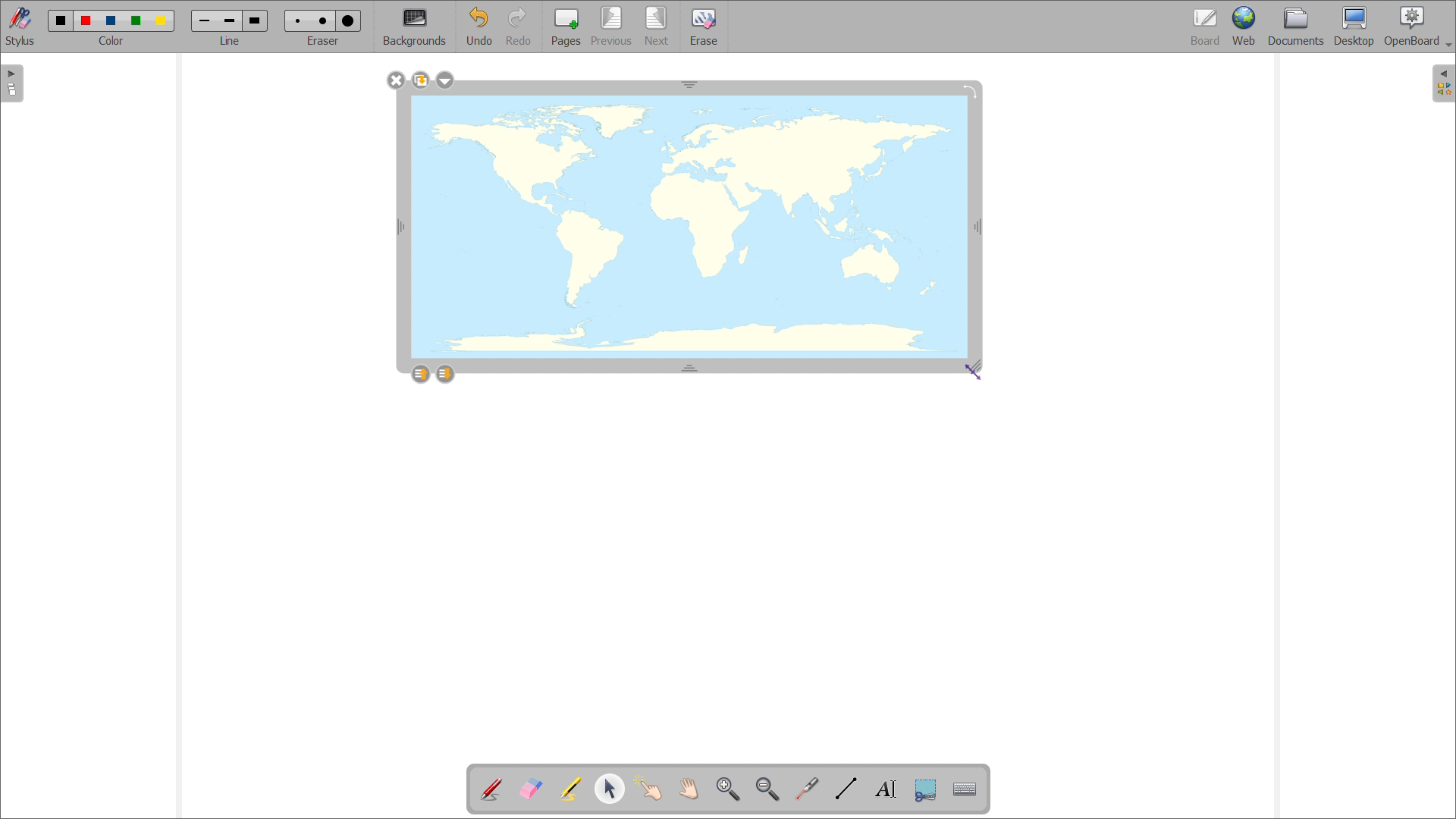  Describe the element at coordinates (886, 789) in the screenshot. I see `write text` at that location.